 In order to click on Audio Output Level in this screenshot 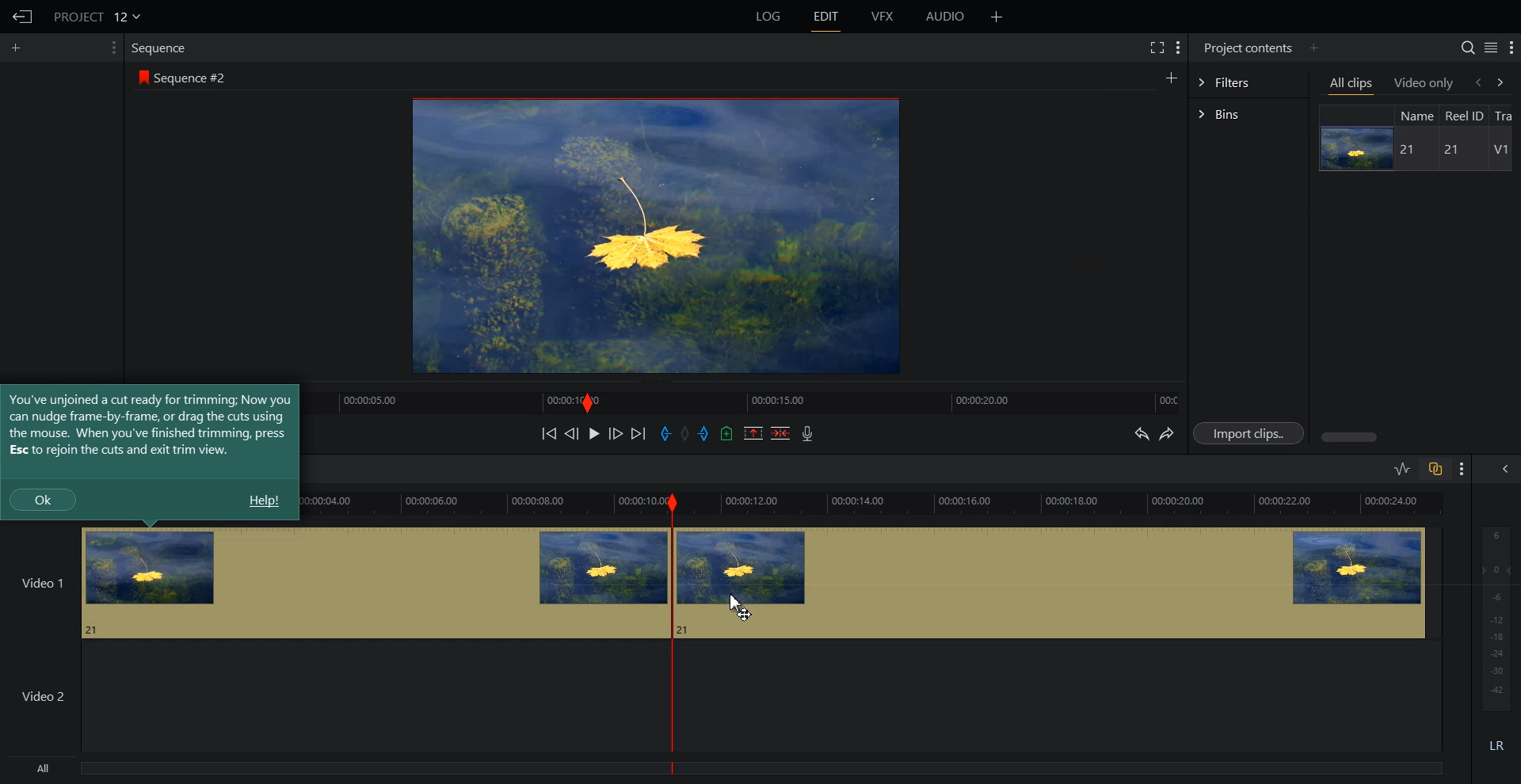, I will do `click(1493, 615)`.